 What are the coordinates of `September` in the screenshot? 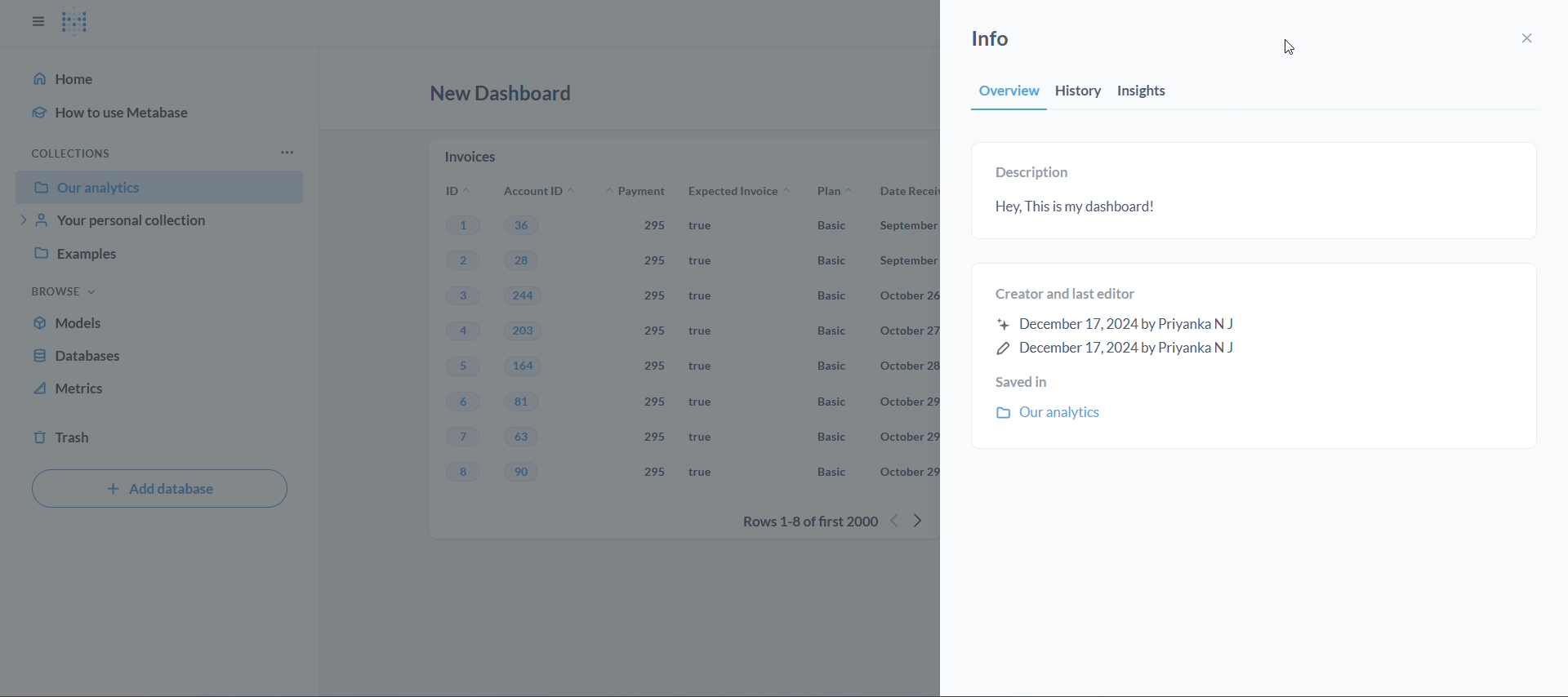 It's located at (910, 260).